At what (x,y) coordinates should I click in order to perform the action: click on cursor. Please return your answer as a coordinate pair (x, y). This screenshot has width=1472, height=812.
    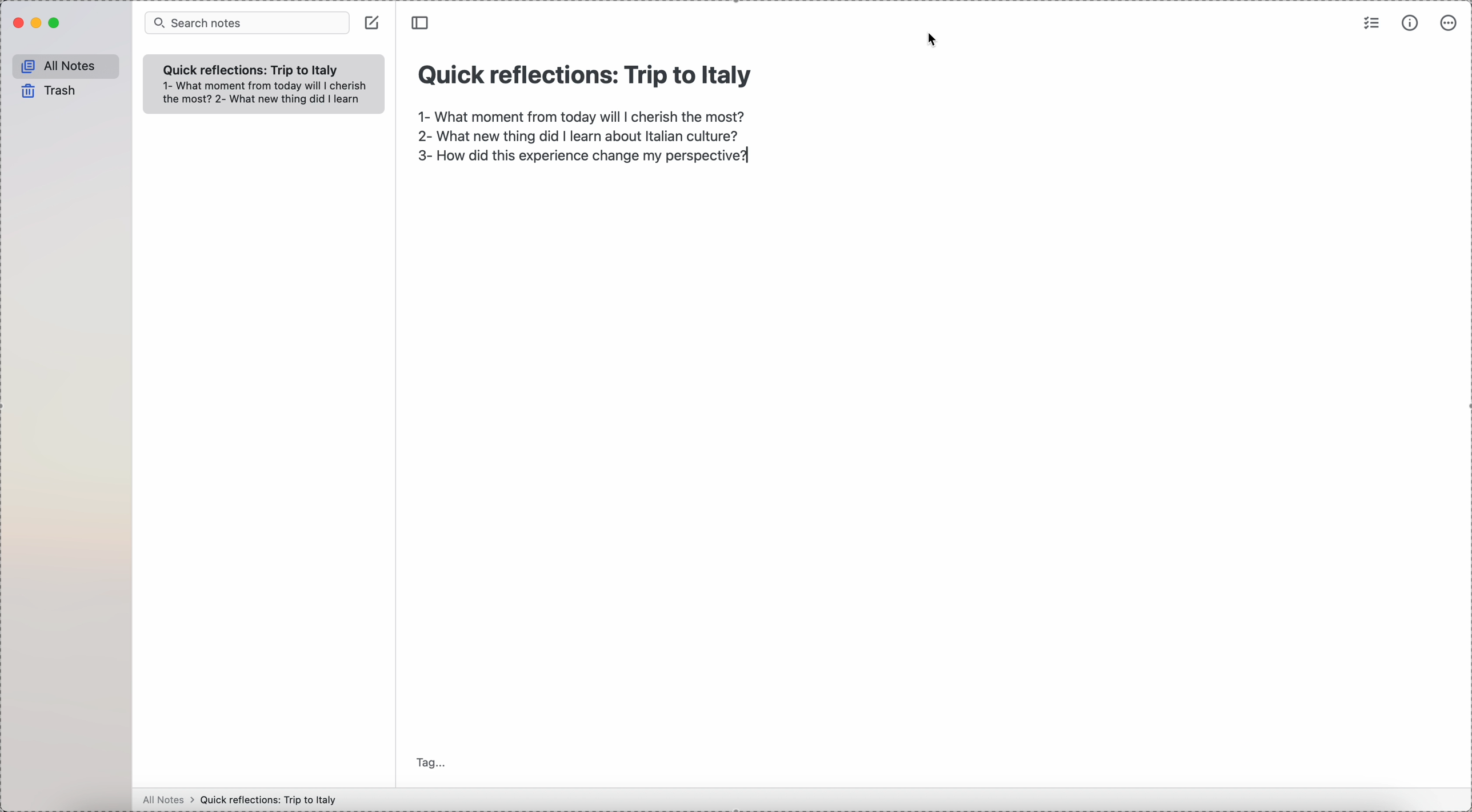
    Looking at the image, I should click on (931, 37).